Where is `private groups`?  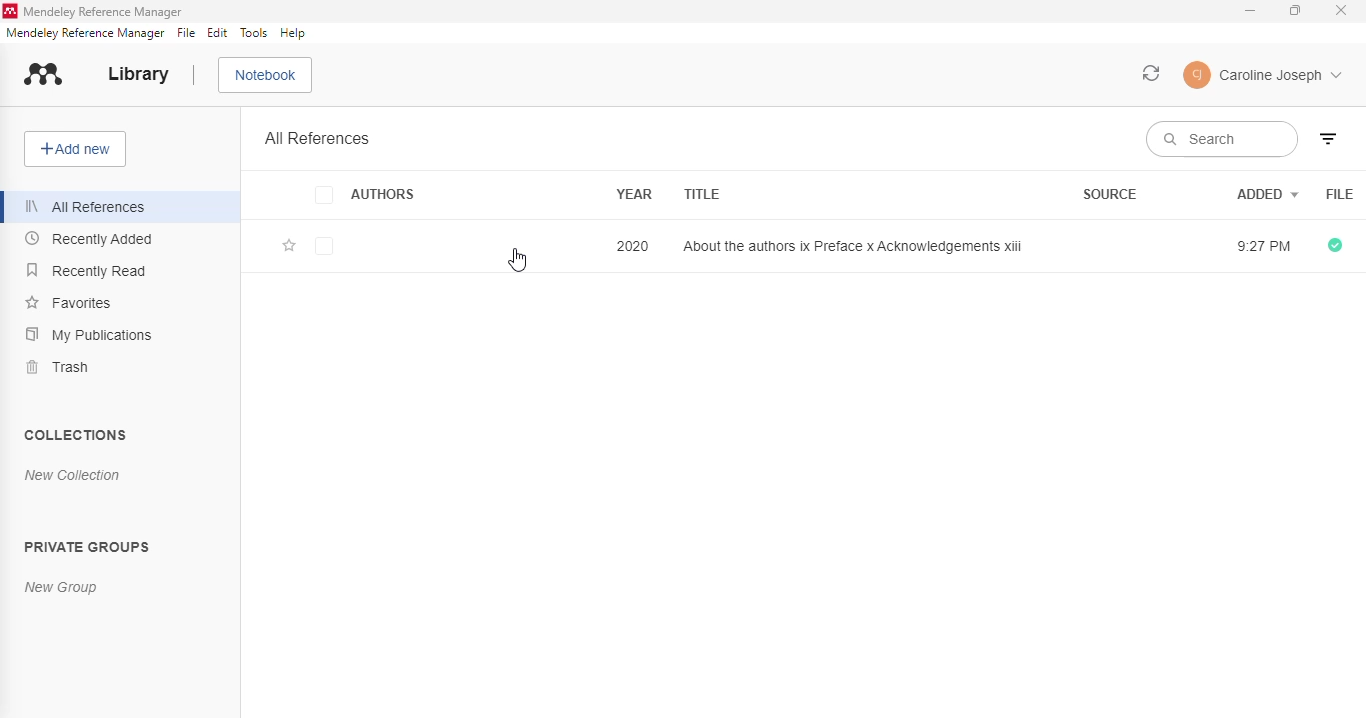 private groups is located at coordinates (87, 545).